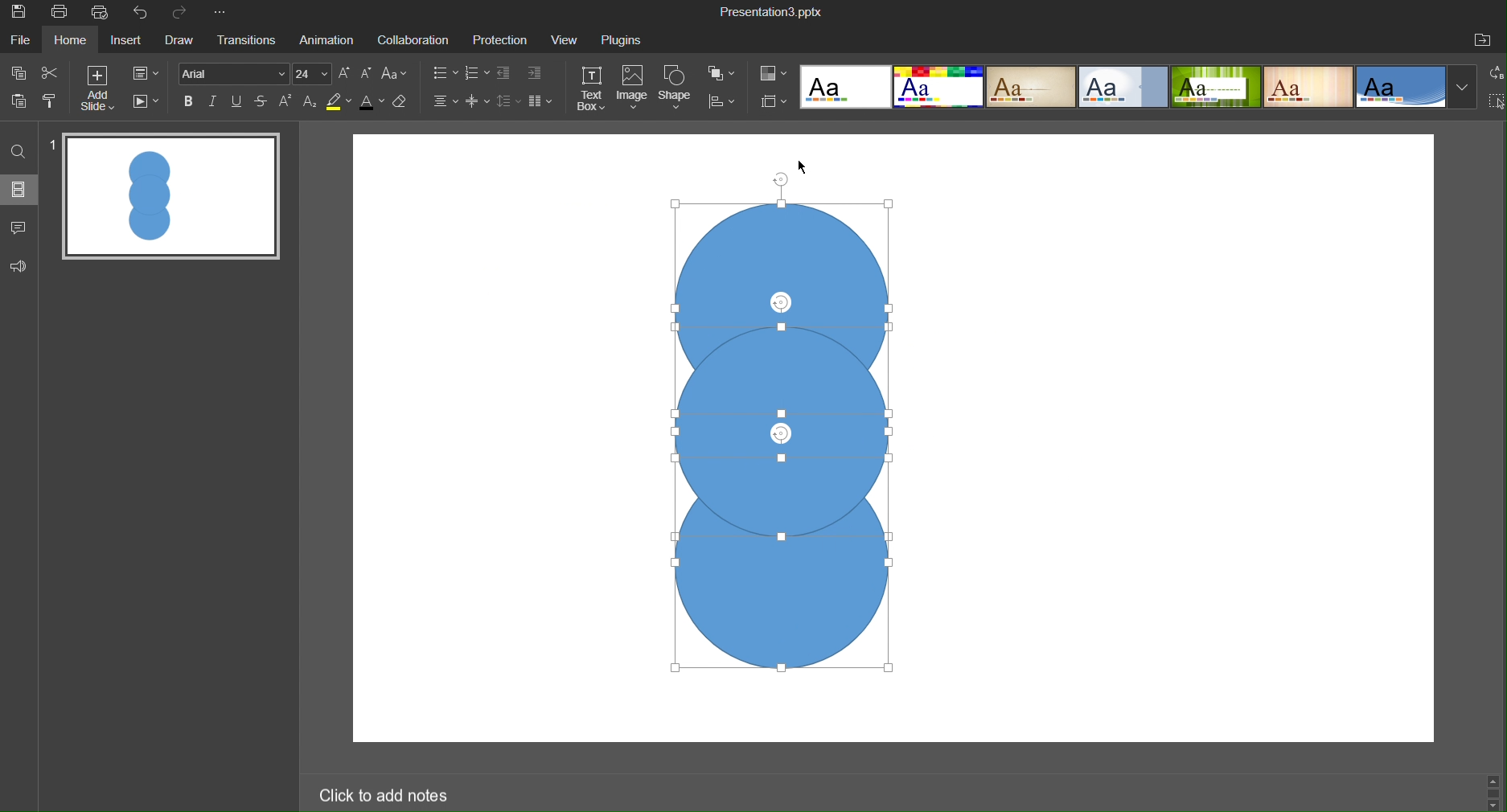 This screenshot has width=1507, height=812. I want to click on Slide Size Settings, so click(774, 101).